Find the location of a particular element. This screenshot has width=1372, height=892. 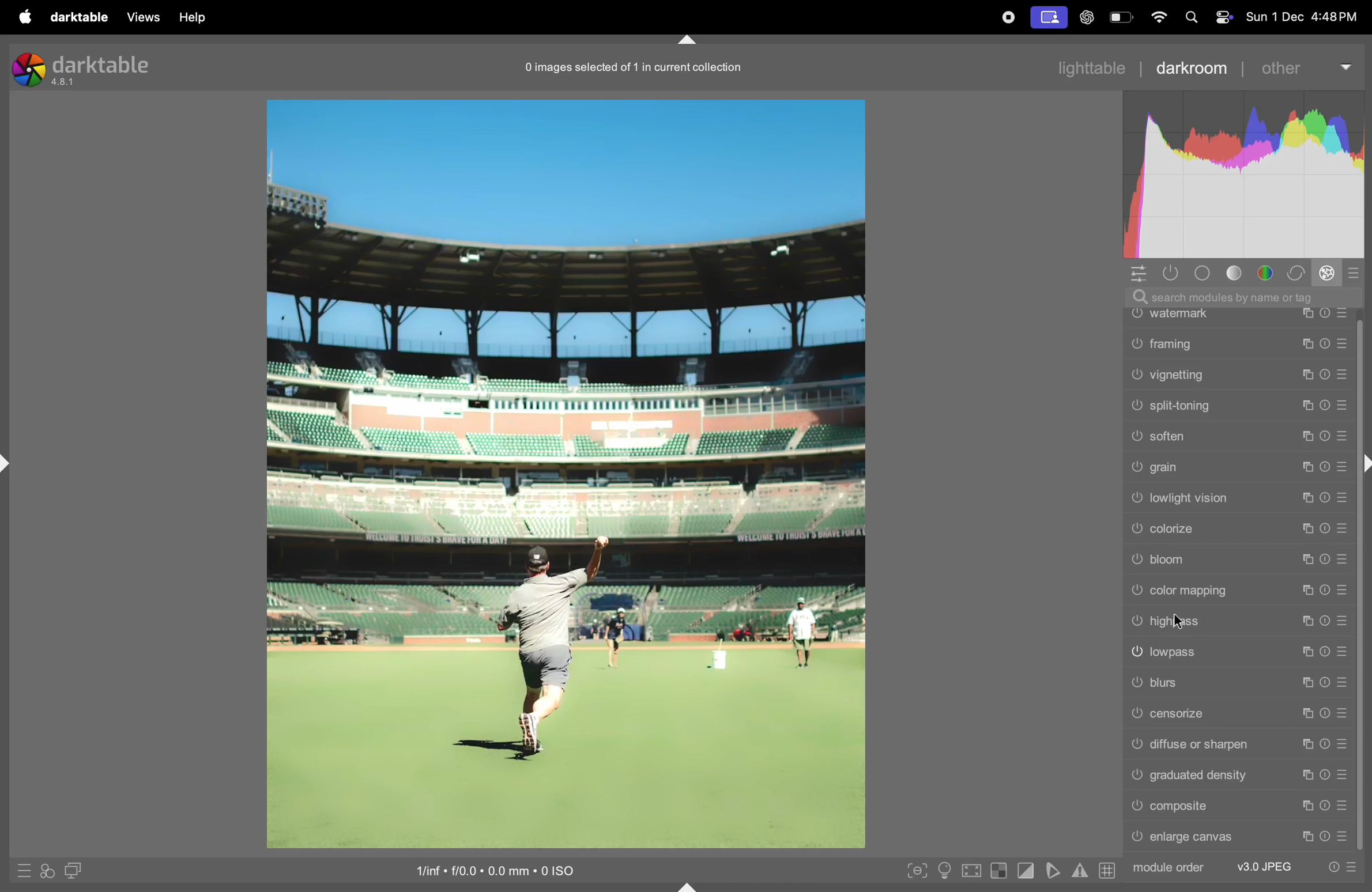

preset options is located at coordinates (1342, 867).